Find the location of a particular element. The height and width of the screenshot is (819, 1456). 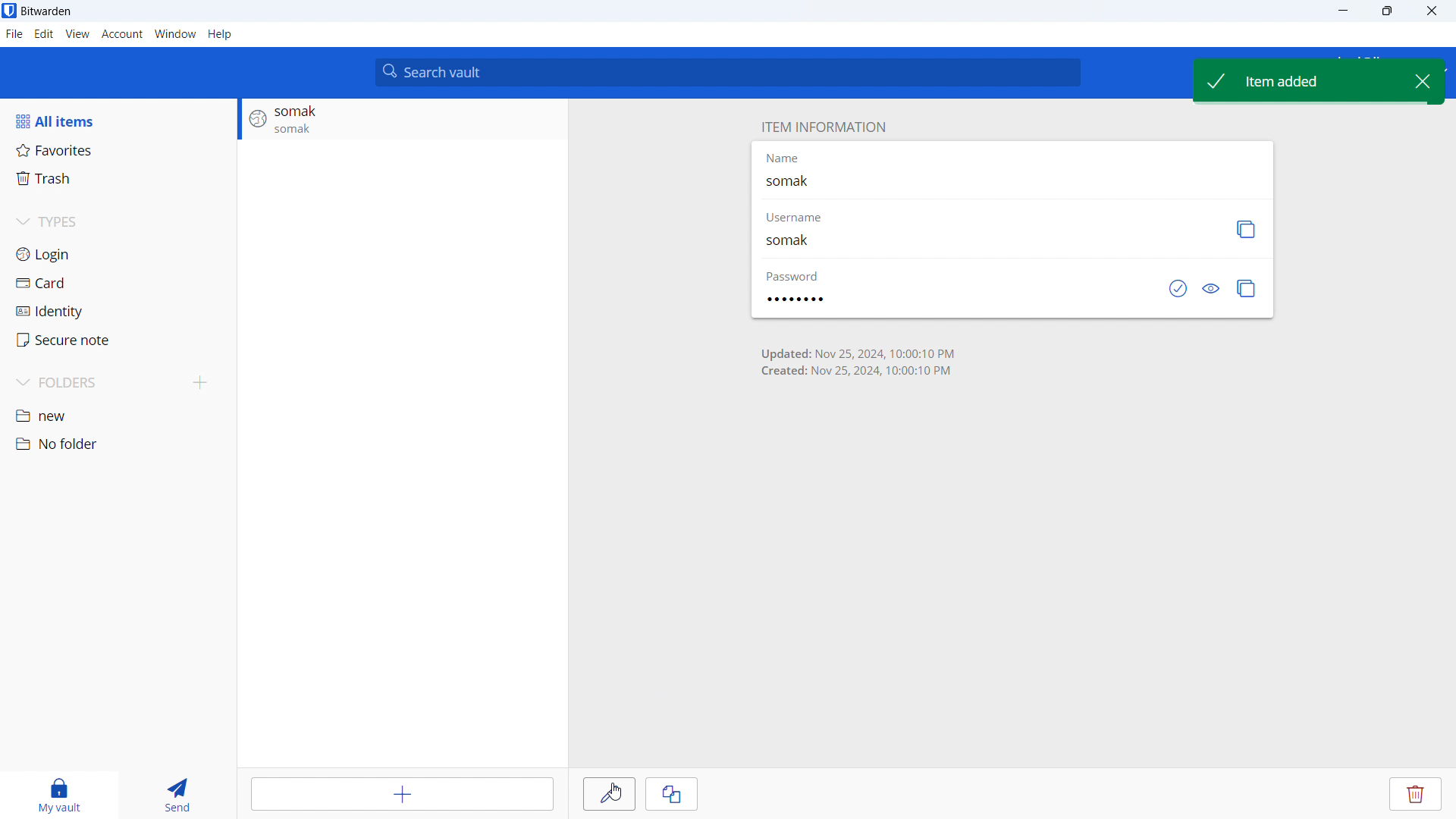

identity is located at coordinates (118, 312).